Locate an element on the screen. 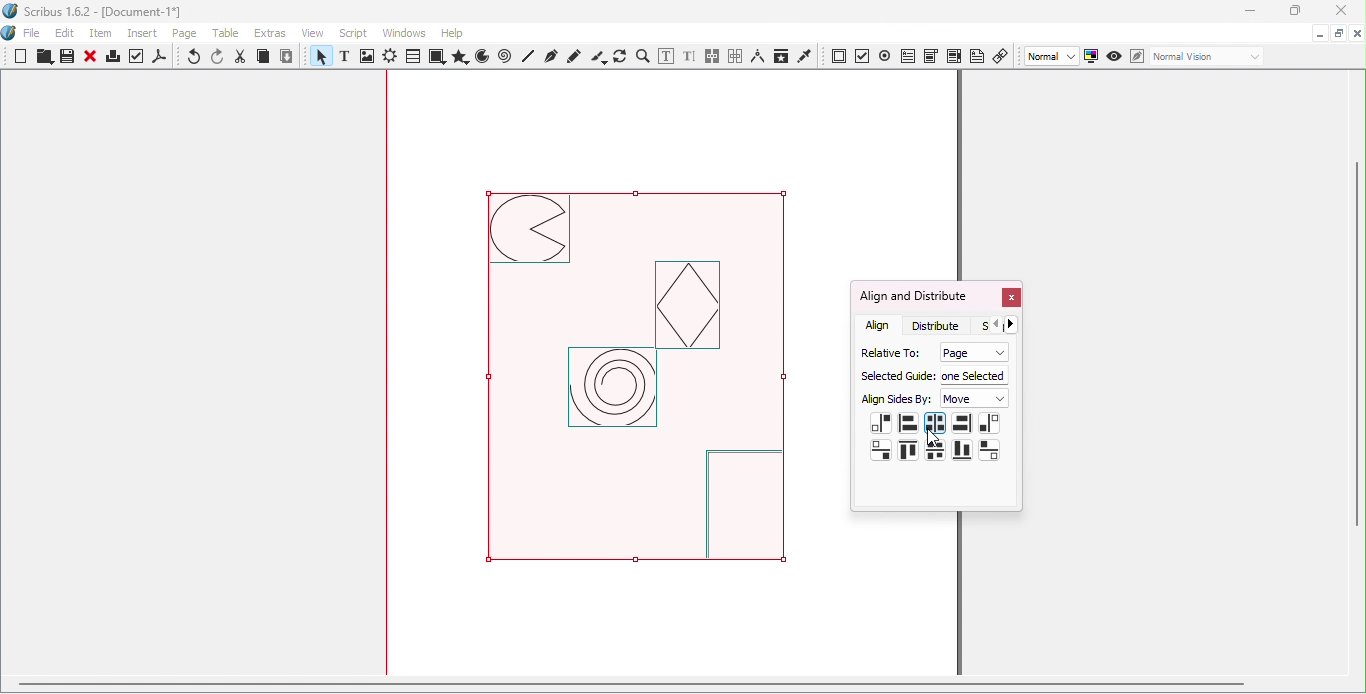 This screenshot has width=1366, height=694. Freehand line is located at coordinates (575, 56).